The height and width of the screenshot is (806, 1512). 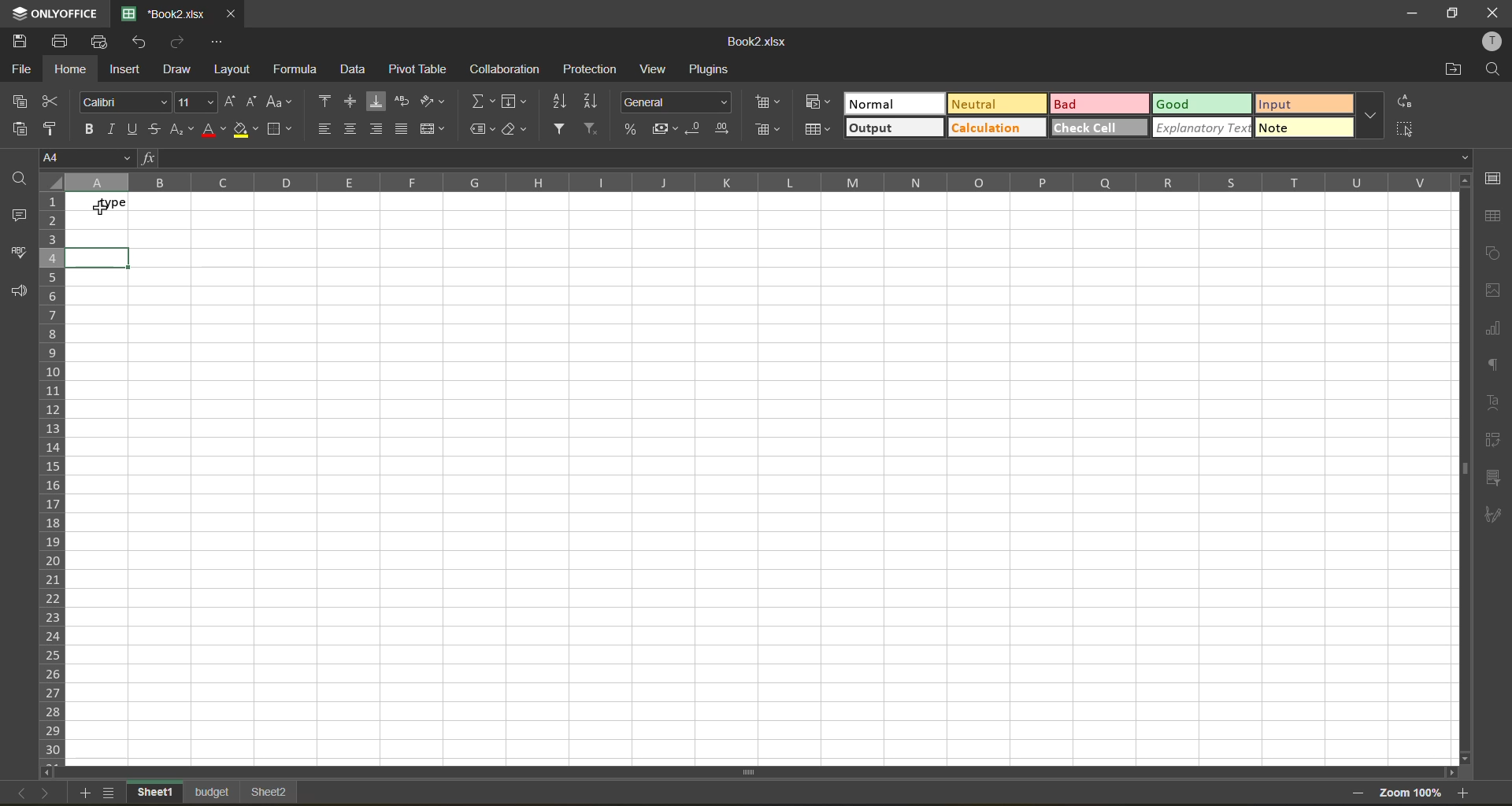 I want to click on more options, so click(x=1371, y=115).